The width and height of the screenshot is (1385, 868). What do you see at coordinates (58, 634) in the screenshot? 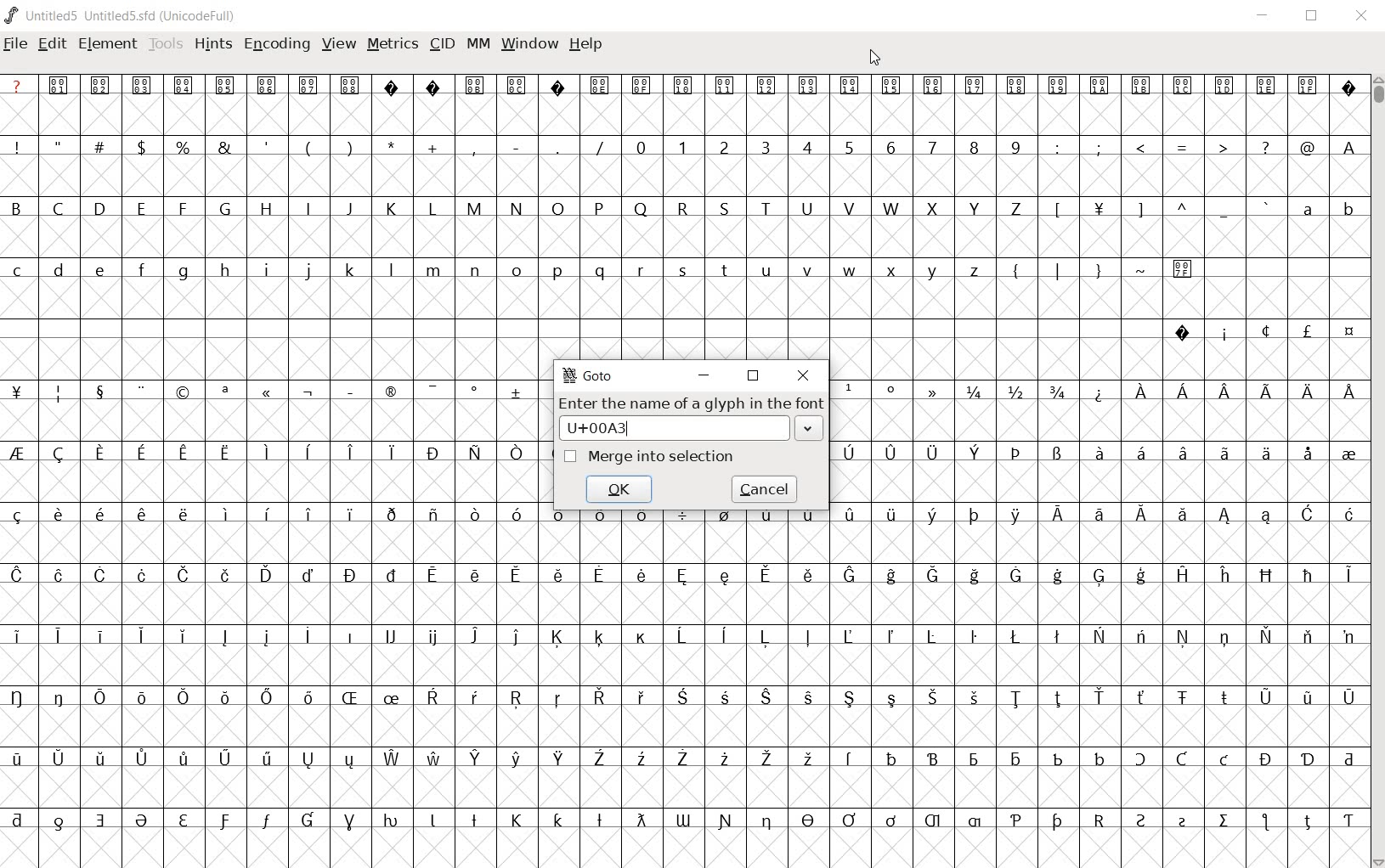
I see `Symbol` at bounding box center [58, 634].